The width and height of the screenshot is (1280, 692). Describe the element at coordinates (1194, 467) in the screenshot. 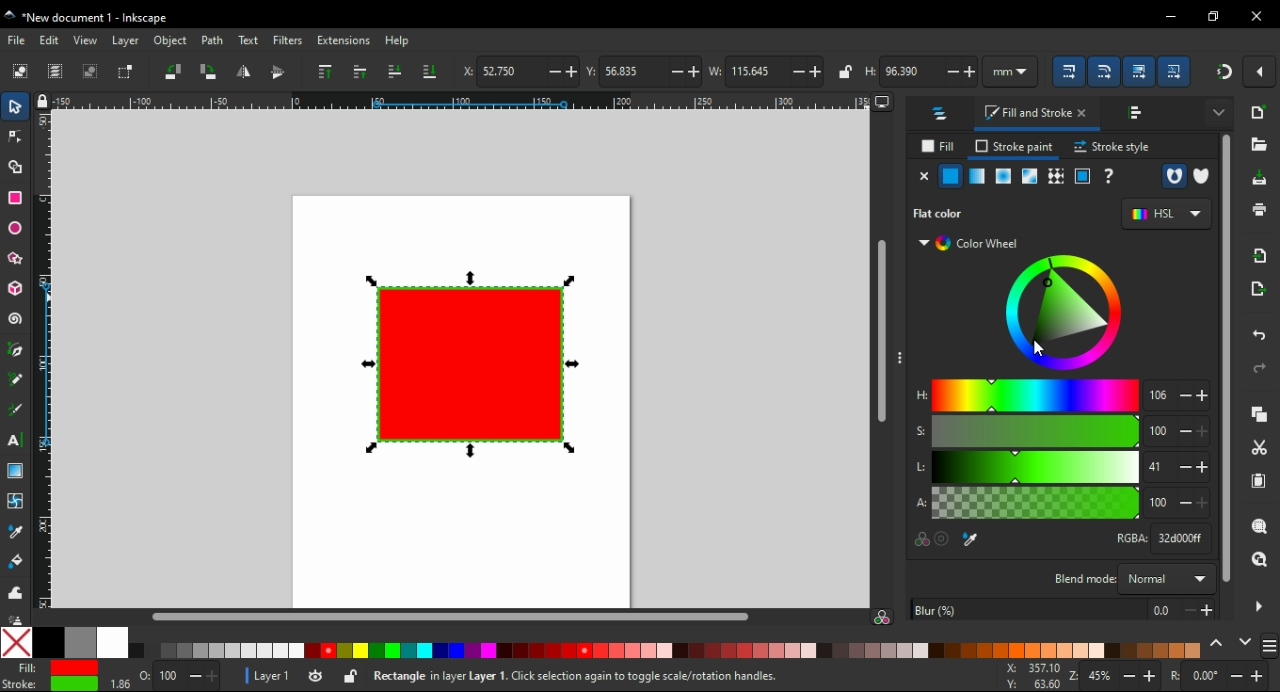

I see `increase/decrease` at that location.